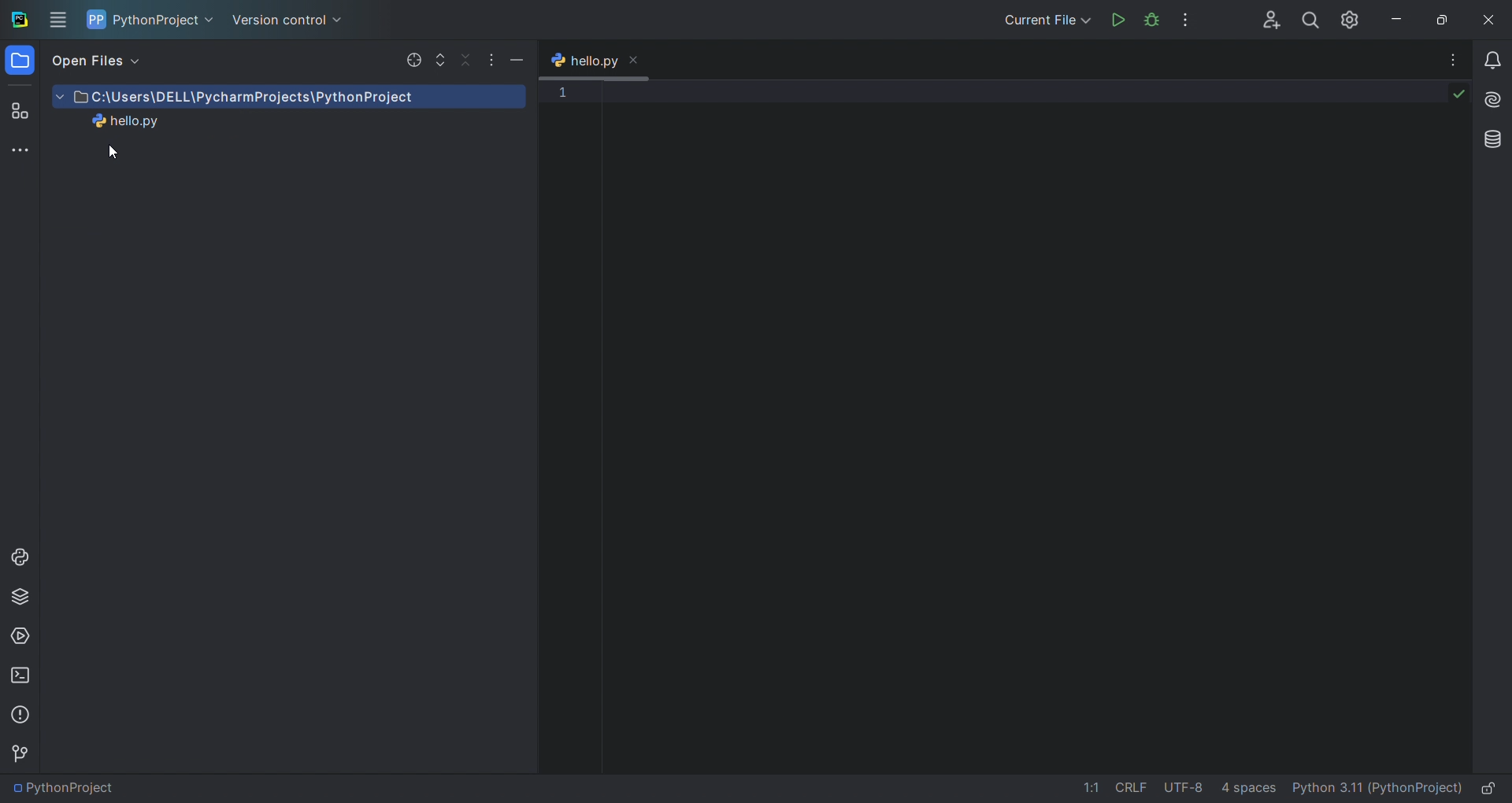  What do you see at coordinates (1495, 57) in the screenshot?
I see `notifications` at bounding box center [1495, 57].